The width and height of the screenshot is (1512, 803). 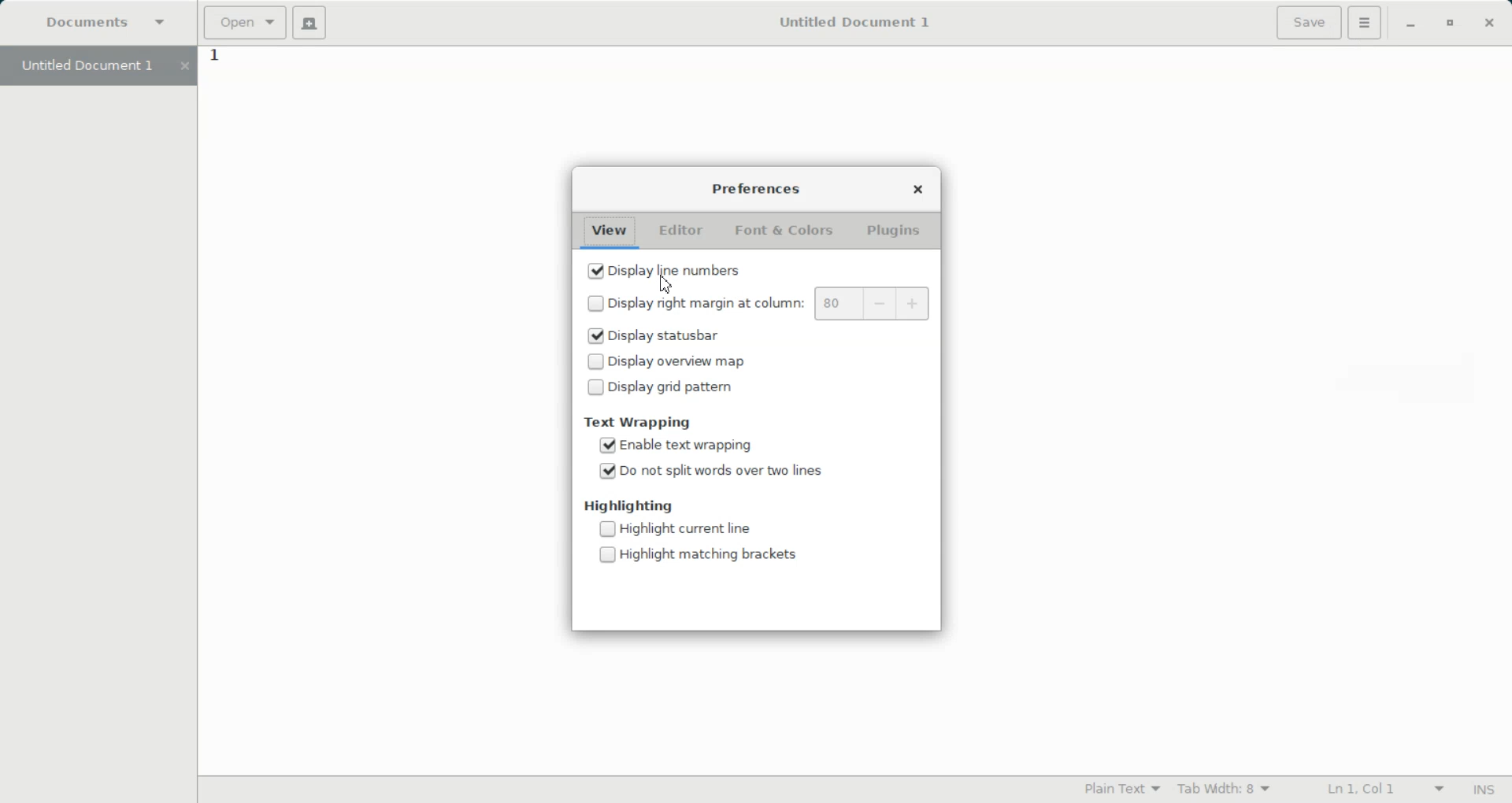 What do you see at coordinates (845, 21) in the screenshot?
I see `Untitled Document 1` at bounding box center [845, 21].